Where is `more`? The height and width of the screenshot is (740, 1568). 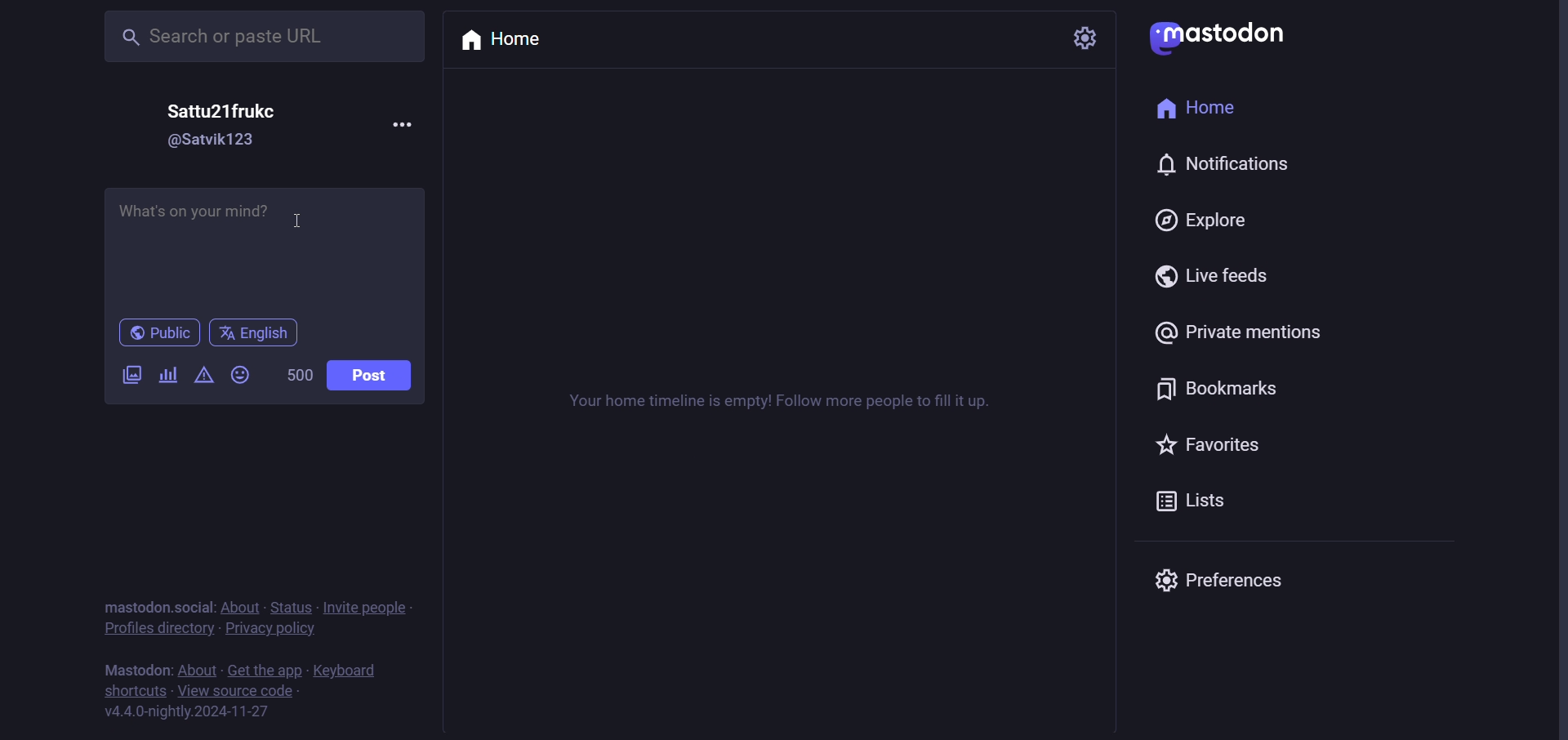 more is located at coordinates (400, 122).